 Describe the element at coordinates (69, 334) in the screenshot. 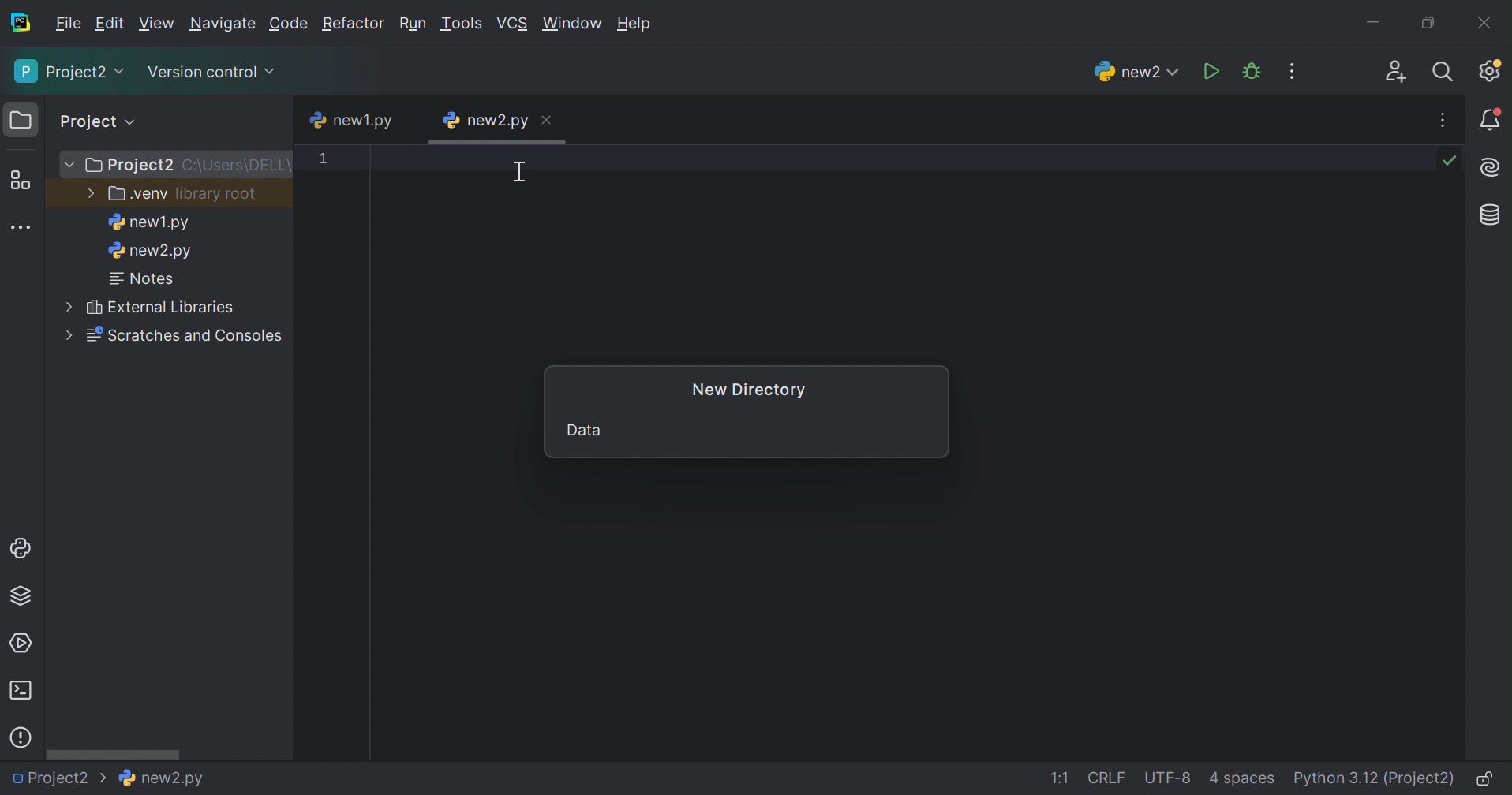

I see `More` at that location.